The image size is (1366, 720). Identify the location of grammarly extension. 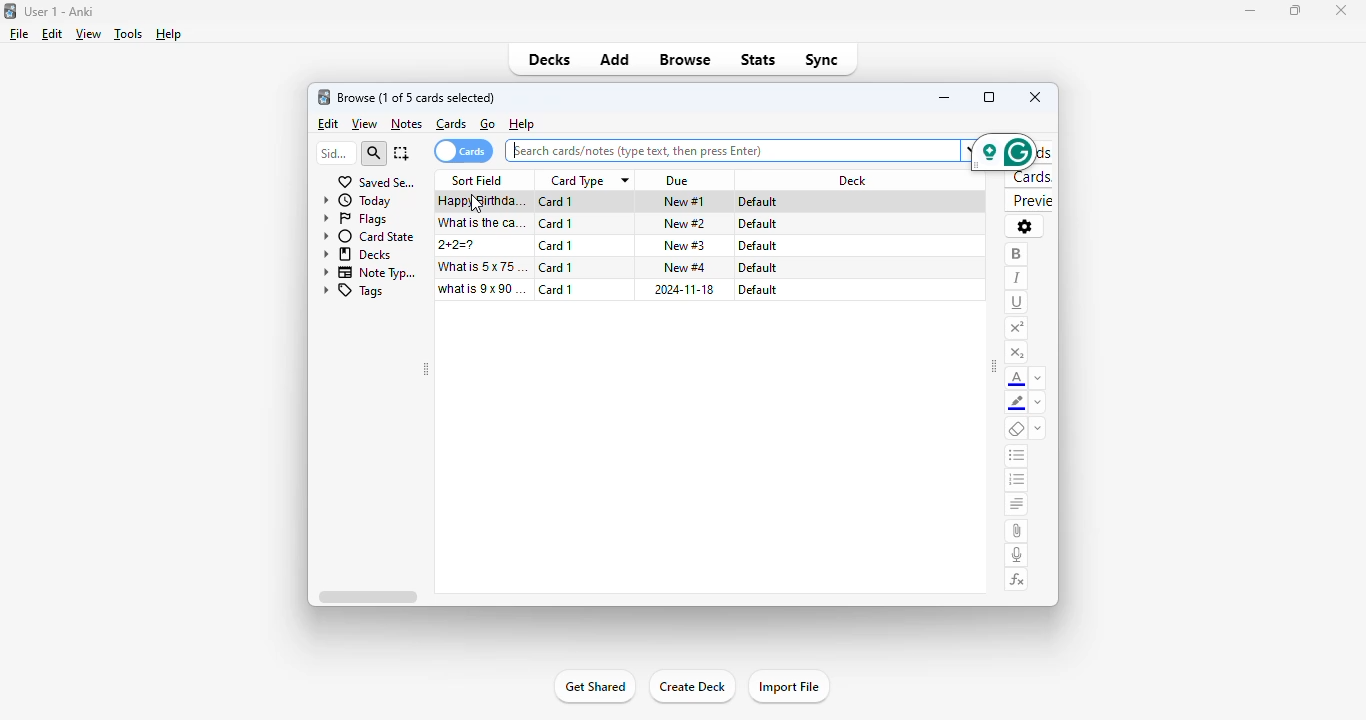
(1003, 152).